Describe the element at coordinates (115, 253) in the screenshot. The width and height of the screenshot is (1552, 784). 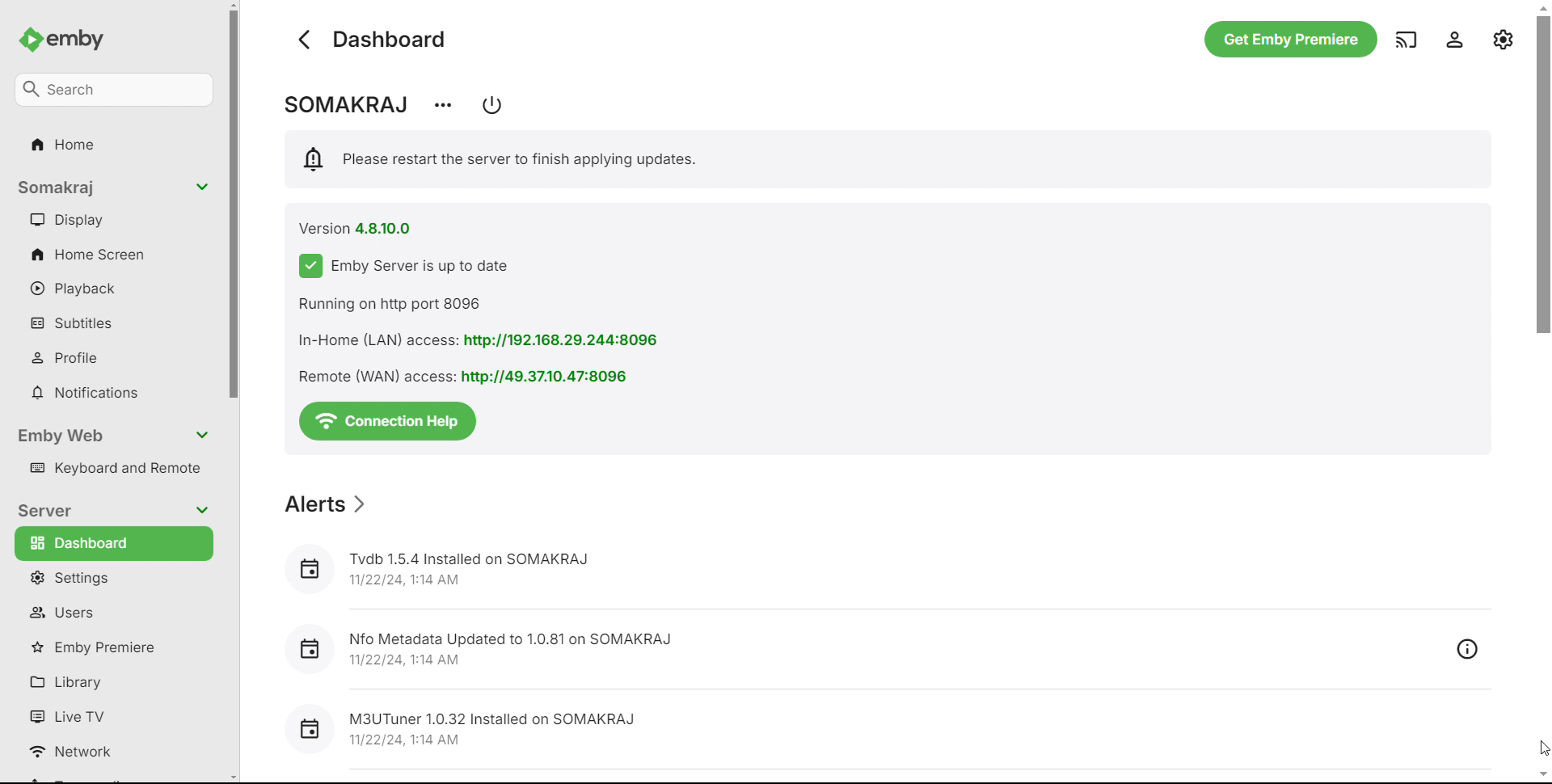
I see `home screen` at that location.